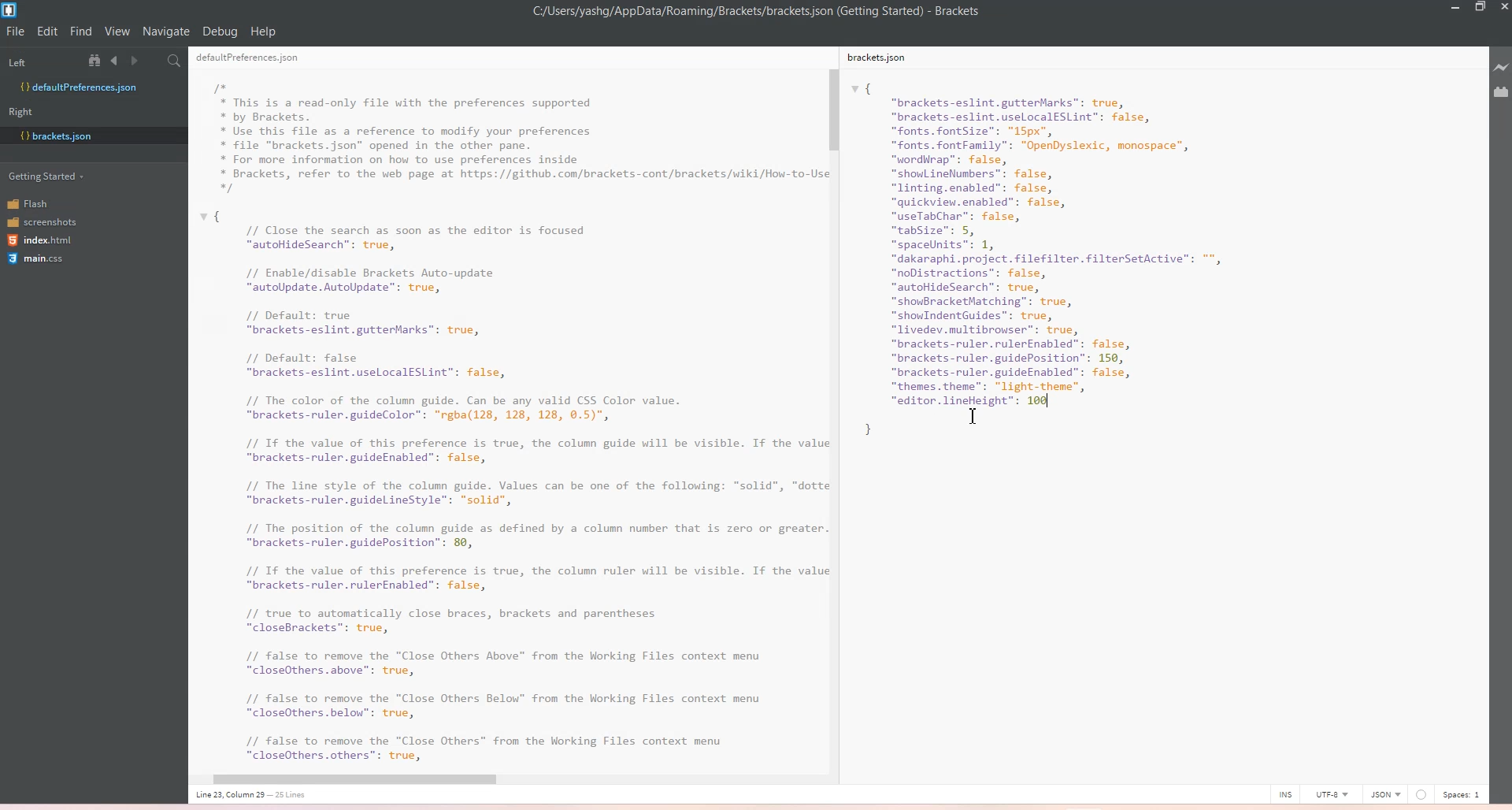  What do you see at coordinates (1285, 793) in the screenshot?
I see `INS` at bounding box center [1285, 793].